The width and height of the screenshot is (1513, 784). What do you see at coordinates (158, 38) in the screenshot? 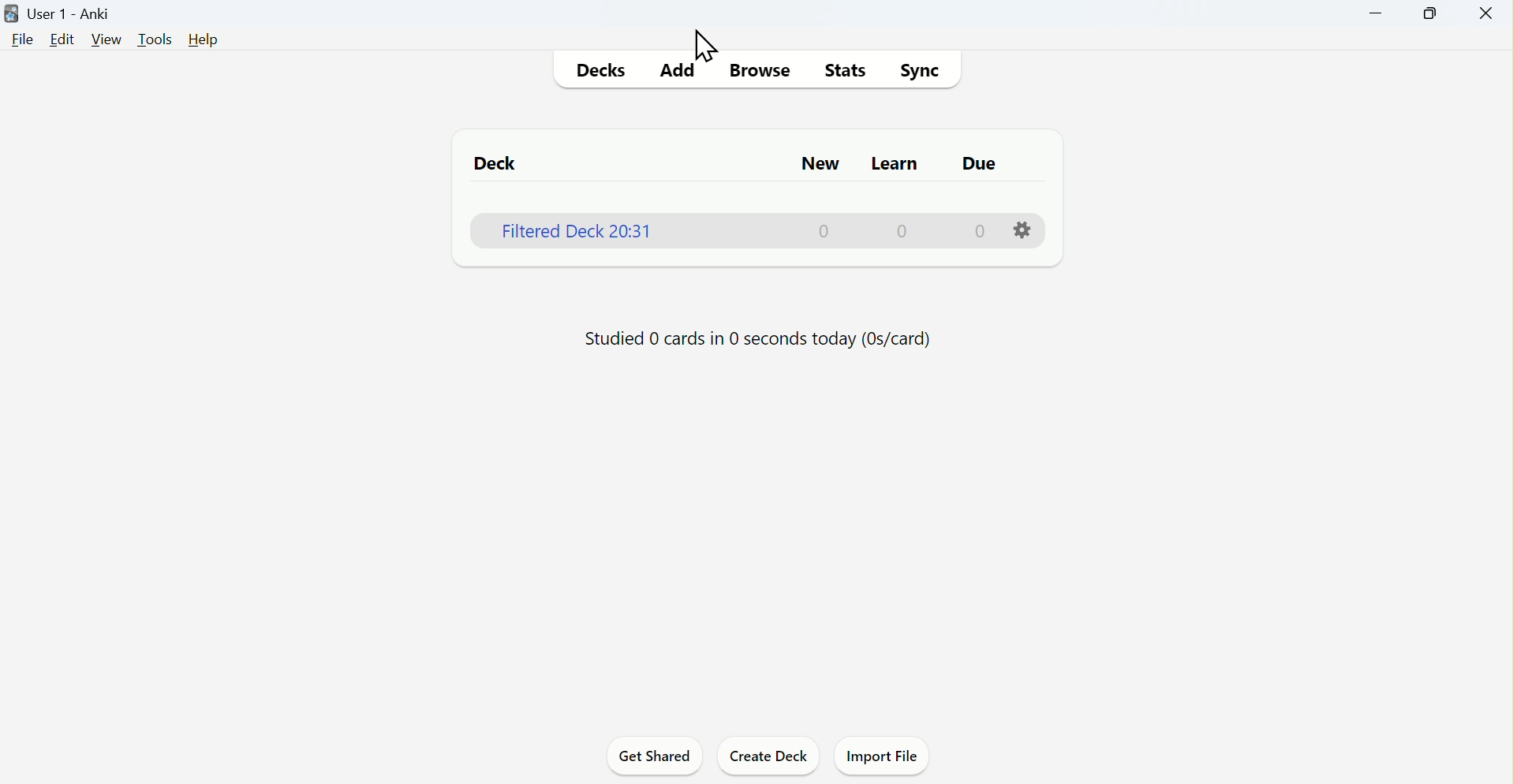
I see `Tools` at bounding box center [158, 38].